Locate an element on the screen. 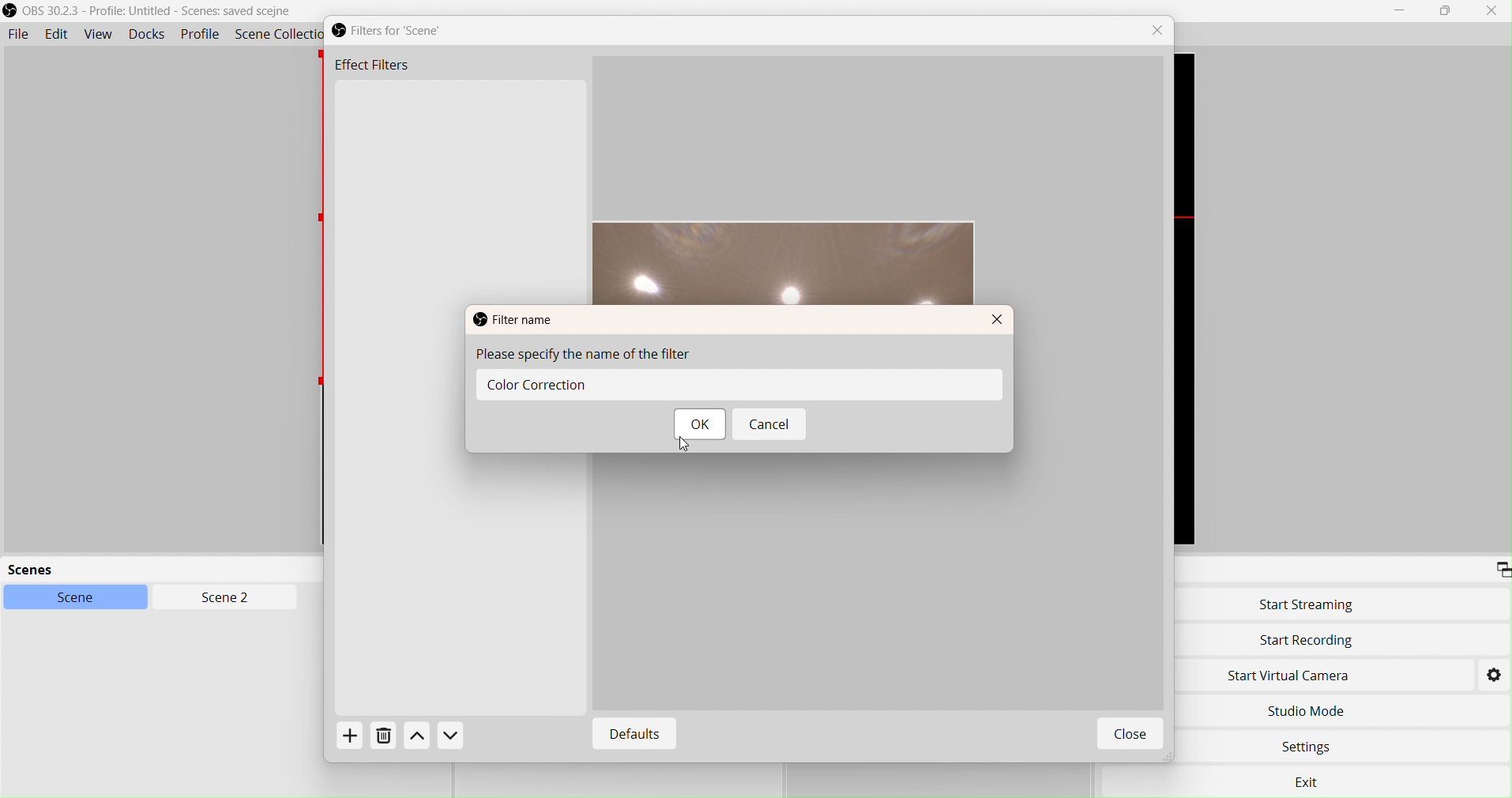  Minimize is located at coordinates (1400, 10).